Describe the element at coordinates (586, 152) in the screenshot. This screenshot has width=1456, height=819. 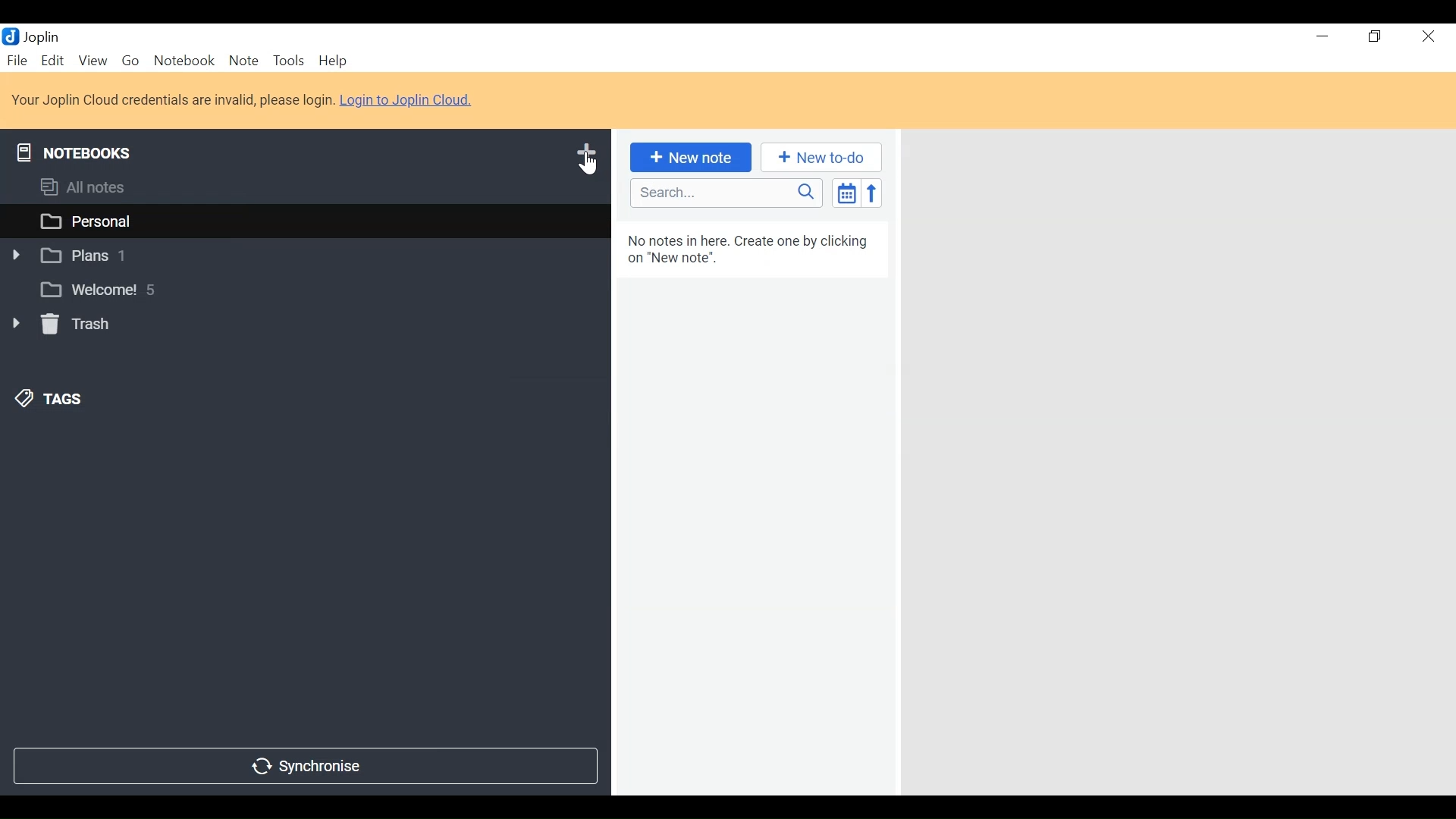
I see `Add Notebook` at that location.